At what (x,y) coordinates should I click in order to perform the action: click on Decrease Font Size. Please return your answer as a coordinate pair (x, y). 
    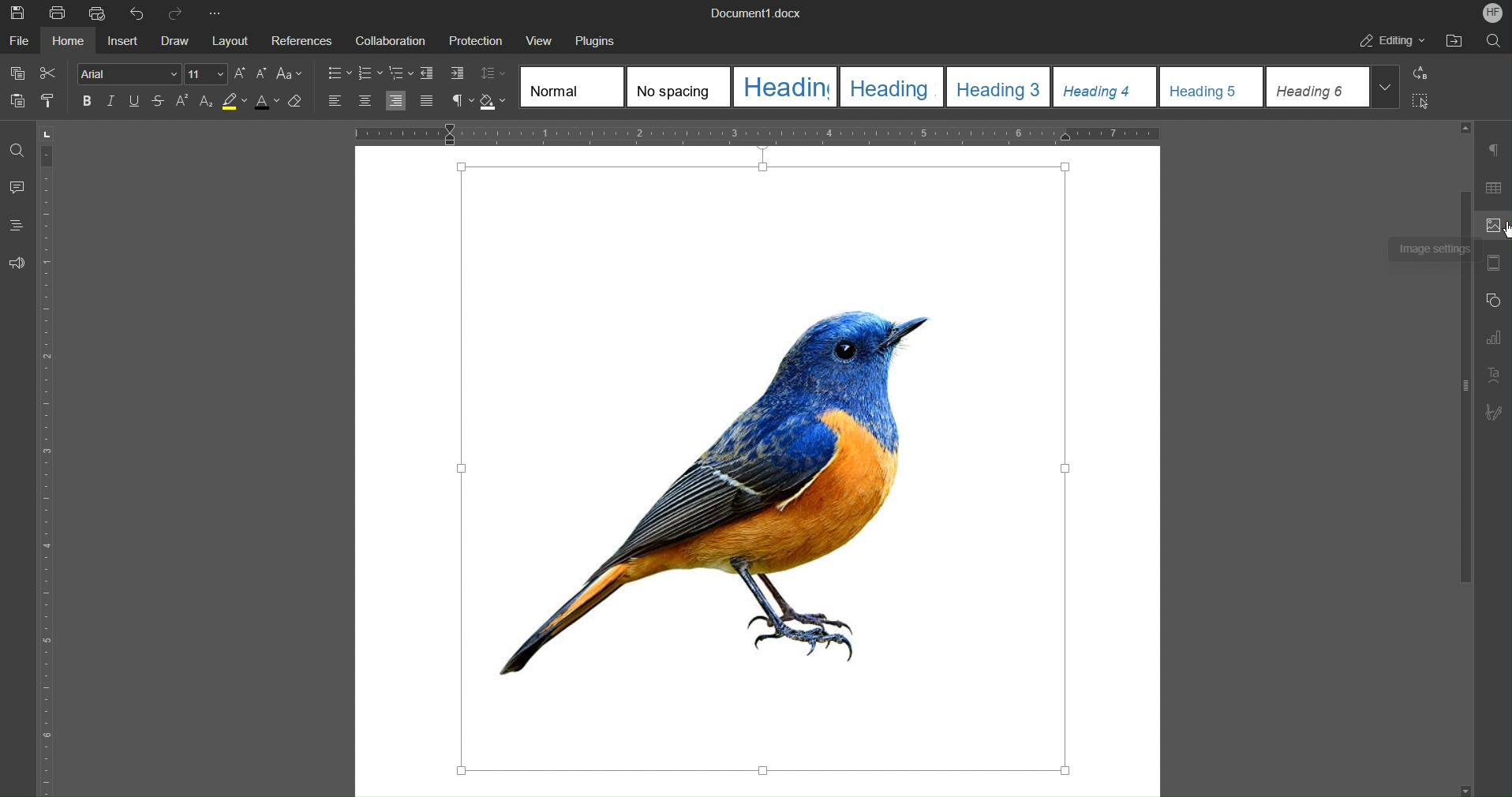
    Looking at the image, I should click on (260, 74).